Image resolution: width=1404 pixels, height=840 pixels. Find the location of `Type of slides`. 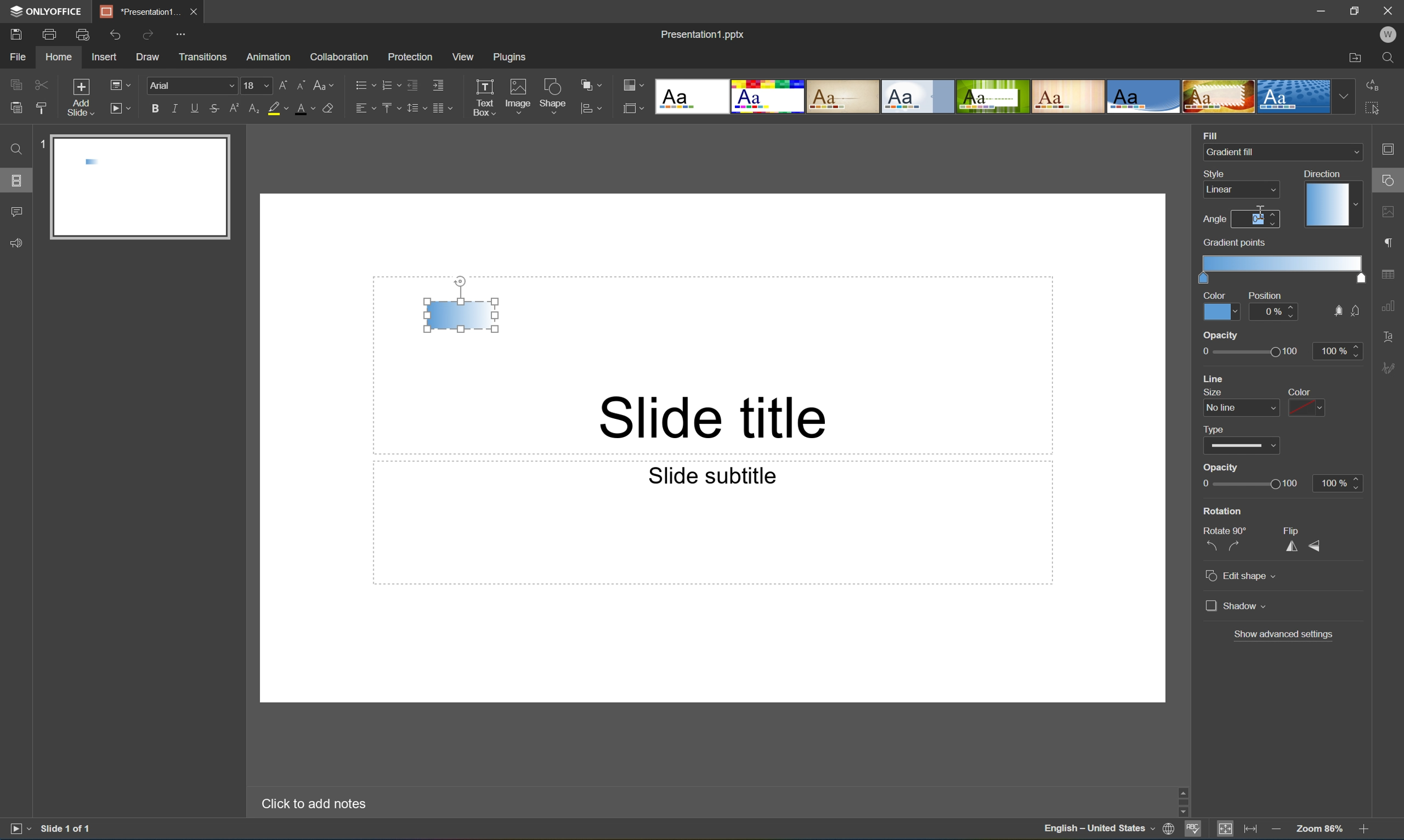

Type of slides is located at coordinates (992, 97).